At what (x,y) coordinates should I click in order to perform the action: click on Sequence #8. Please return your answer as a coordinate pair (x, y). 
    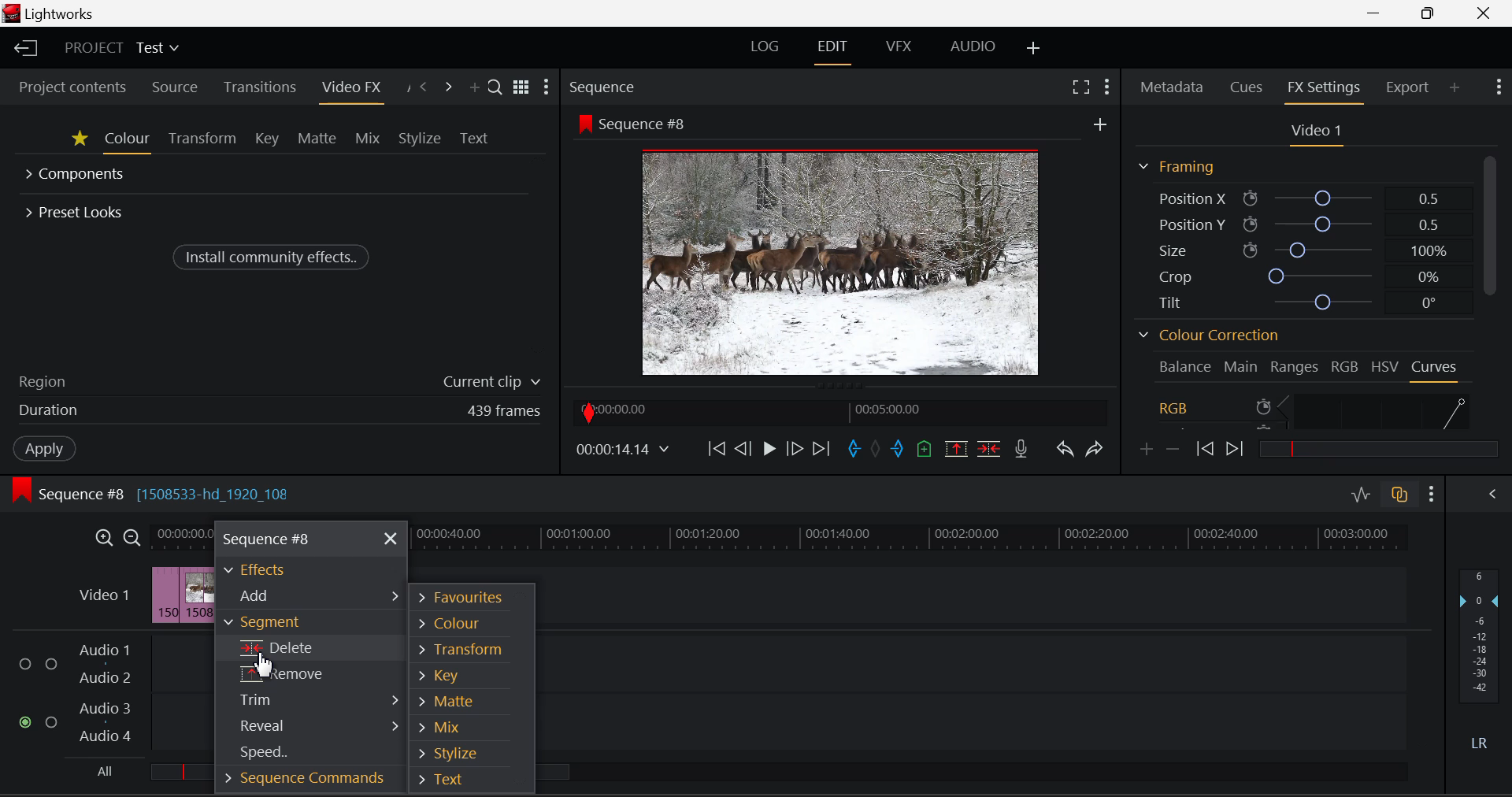
    Looking at the image, I should click on (636, 123).